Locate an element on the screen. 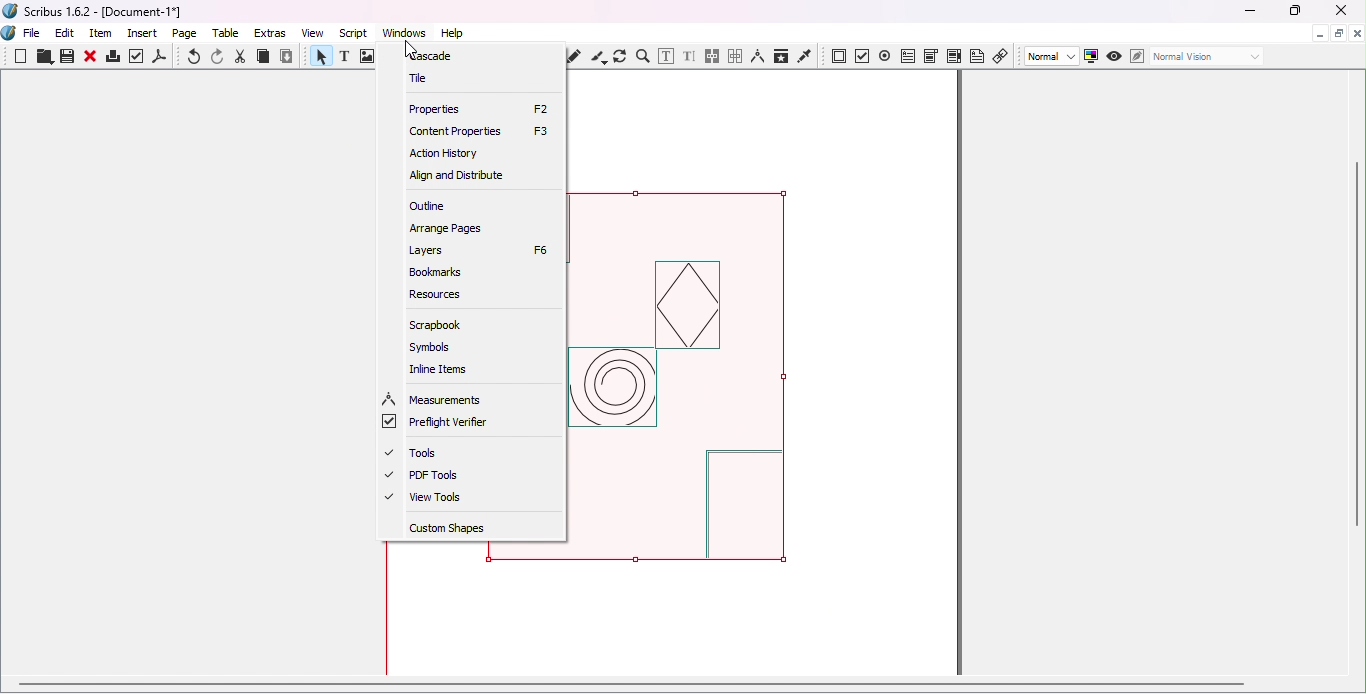 This screenshot has height=694, width=1366. Tile is located at coordinates (421, 77).